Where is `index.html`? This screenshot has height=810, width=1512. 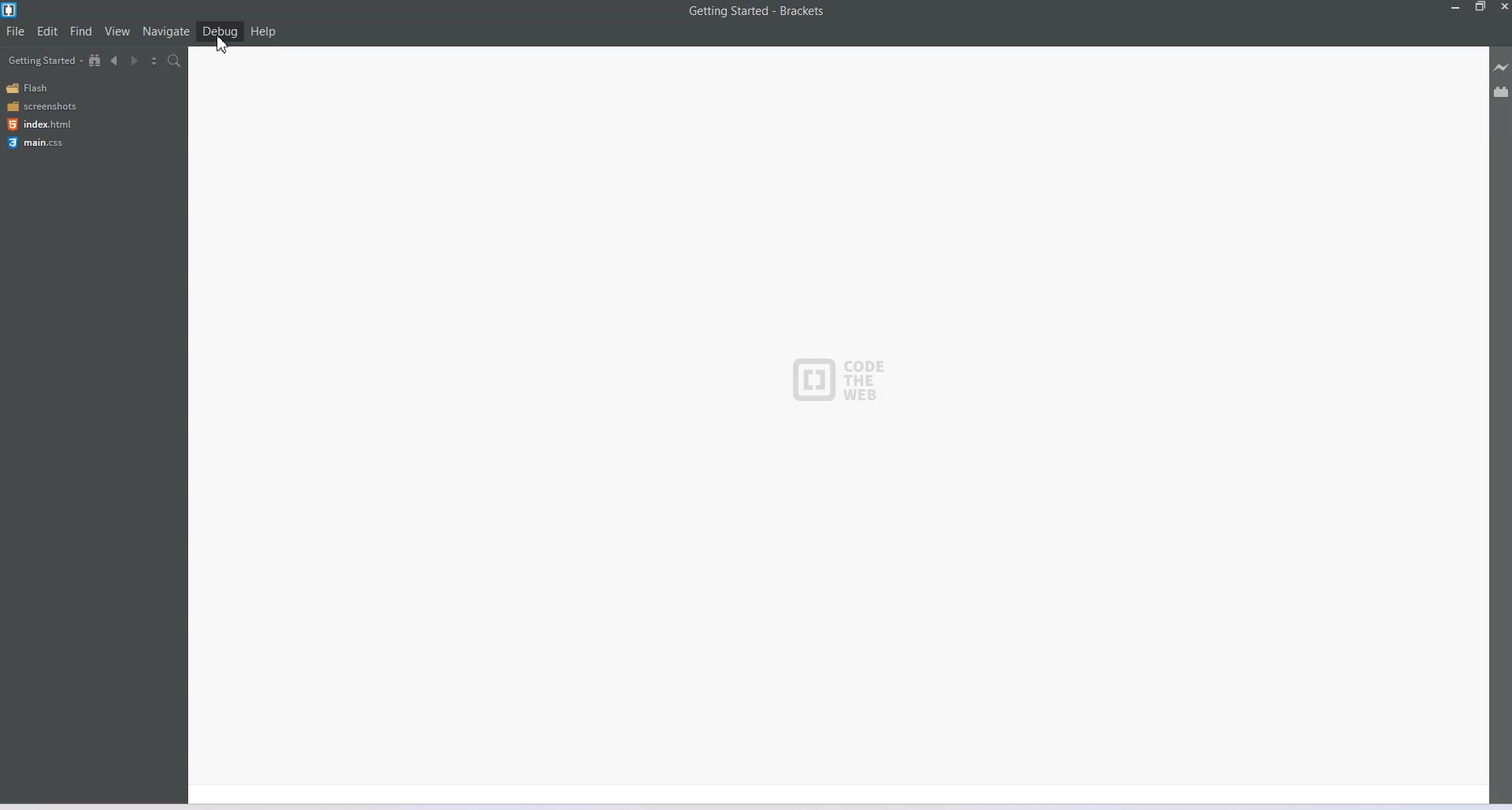 index.html is located at coordinates (39, 124).